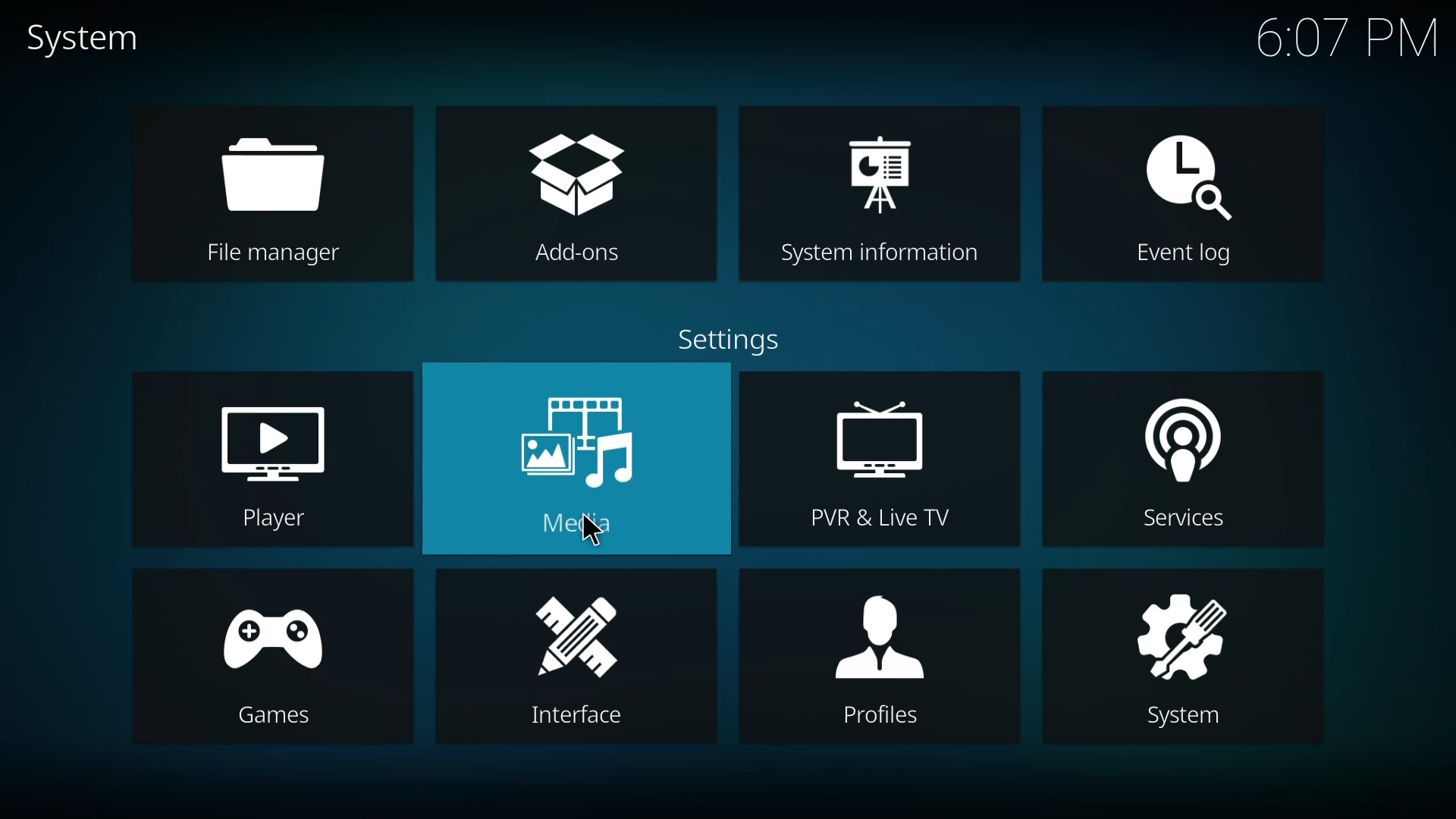  Describe the element at coordinates (271, 175) in the screenshot. I see `file manager` at that location.